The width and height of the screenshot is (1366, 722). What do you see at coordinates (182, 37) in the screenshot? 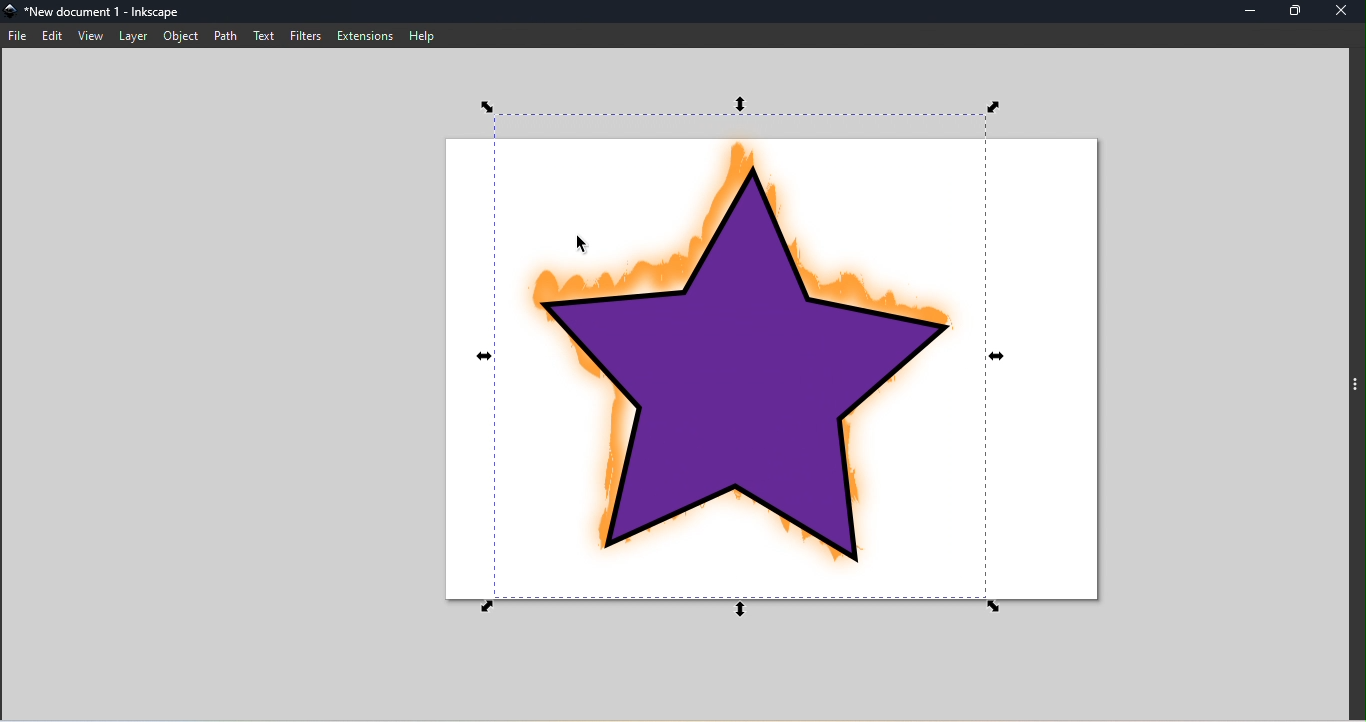
I see `Object` at bounding box center [182, 37].